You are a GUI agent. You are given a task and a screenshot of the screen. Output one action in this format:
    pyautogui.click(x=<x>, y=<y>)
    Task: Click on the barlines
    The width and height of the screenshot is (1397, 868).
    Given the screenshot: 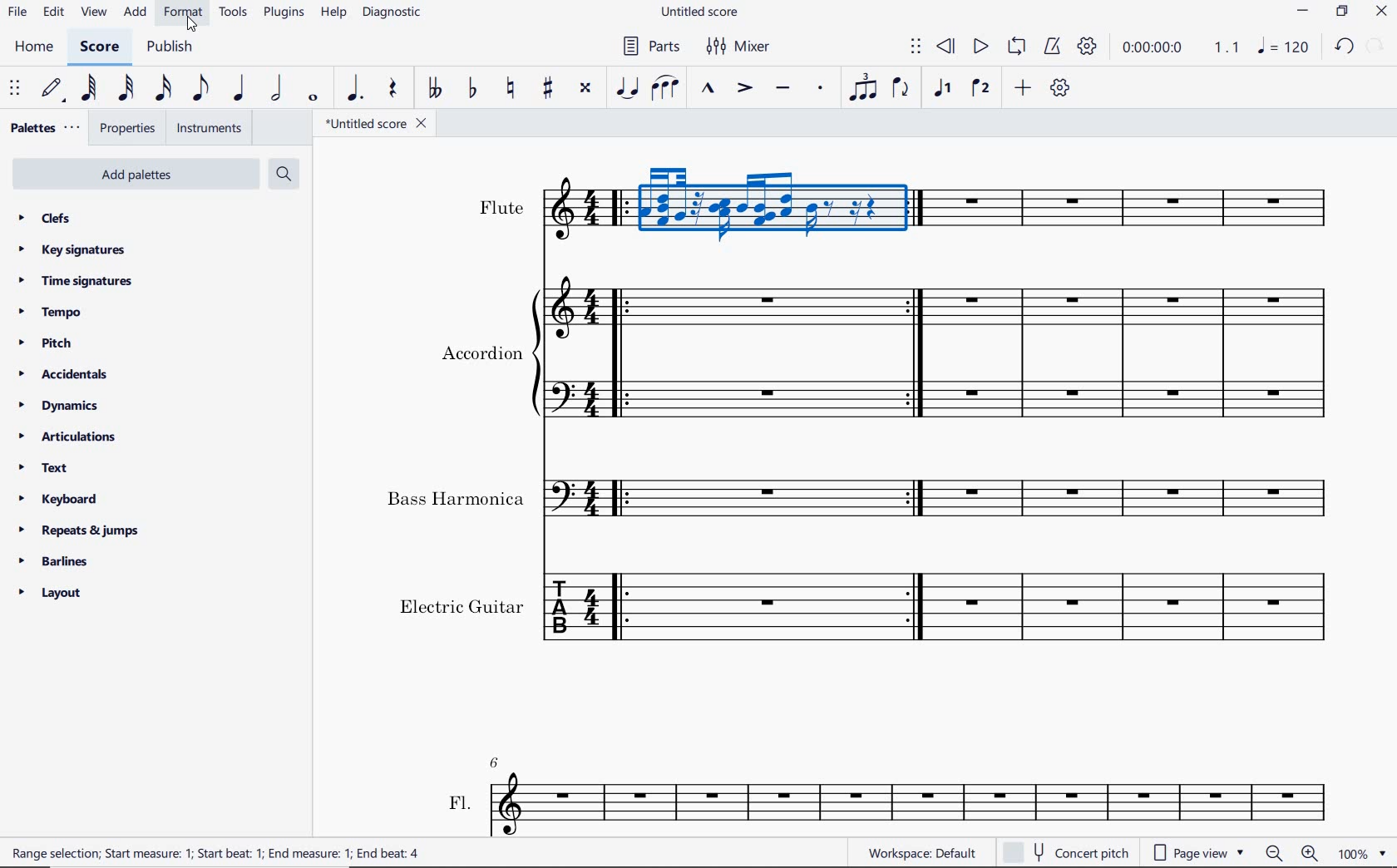 What is the action you would take?
    pyautogui.click(x=52, y=560)
    